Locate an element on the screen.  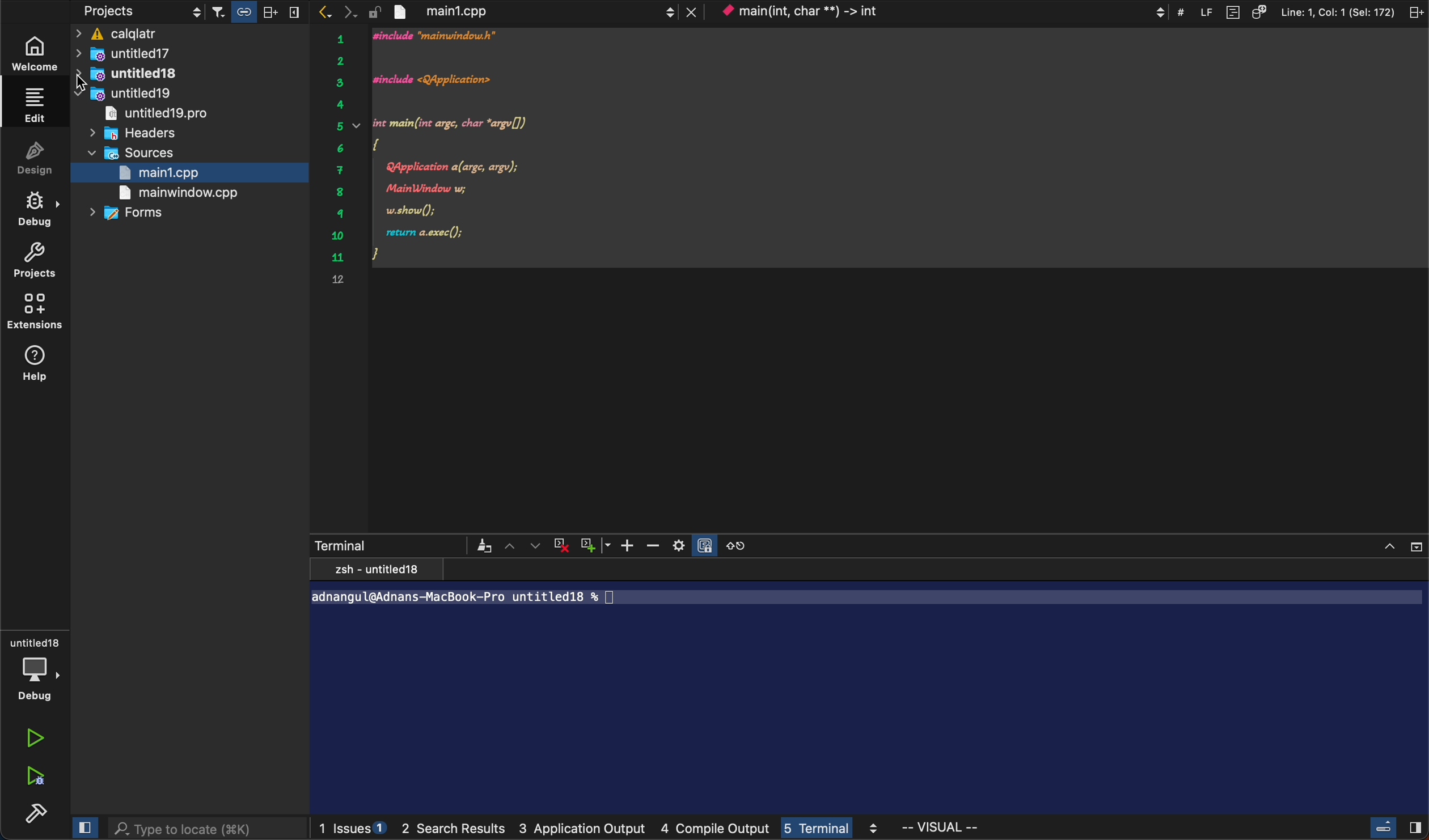
run is located at coordinates (35, 739).